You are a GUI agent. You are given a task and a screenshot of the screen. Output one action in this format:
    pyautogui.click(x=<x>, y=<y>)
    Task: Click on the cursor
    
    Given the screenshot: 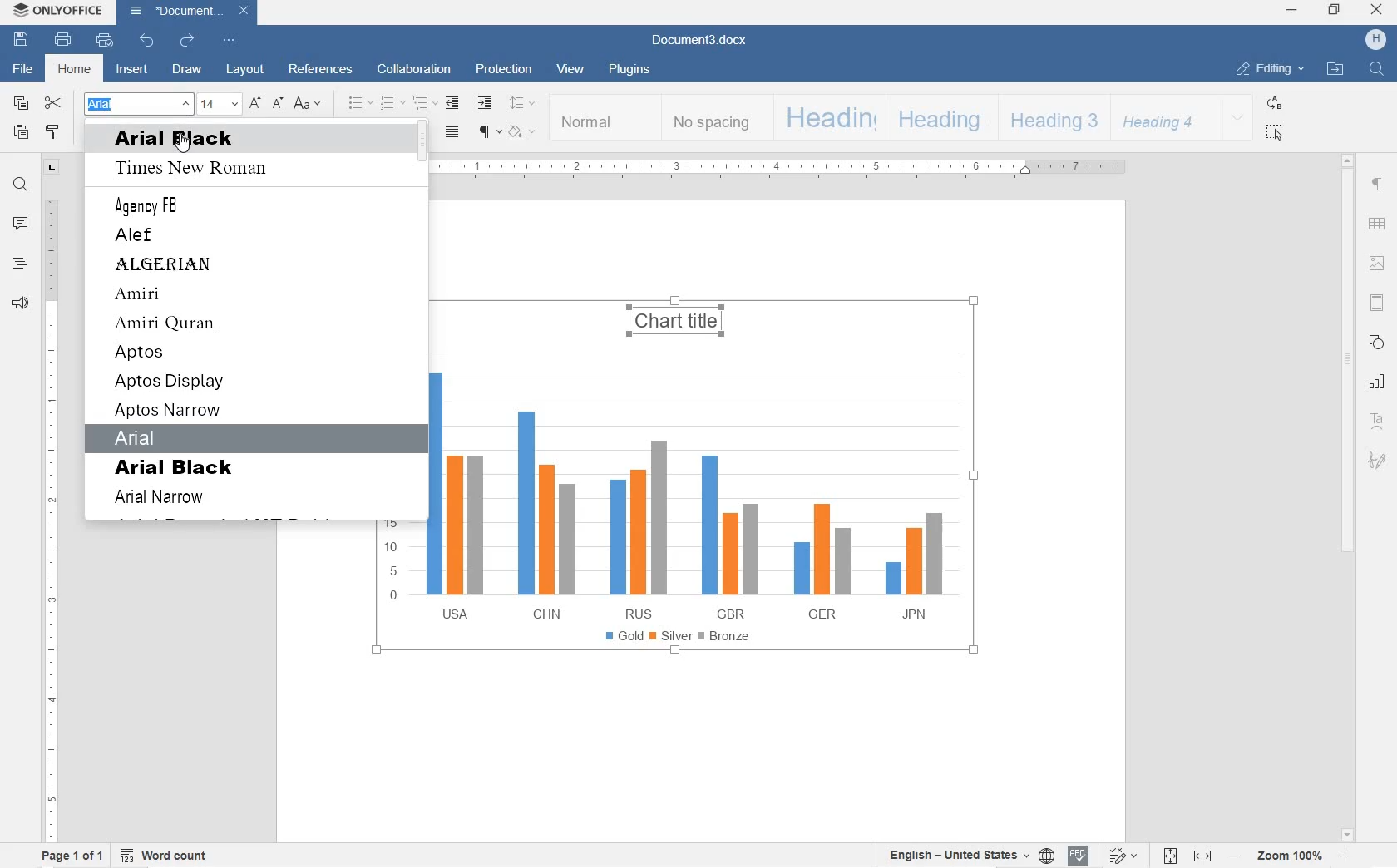 What is the action you would take?
    pyautogui.click(x=182, y=143)
    